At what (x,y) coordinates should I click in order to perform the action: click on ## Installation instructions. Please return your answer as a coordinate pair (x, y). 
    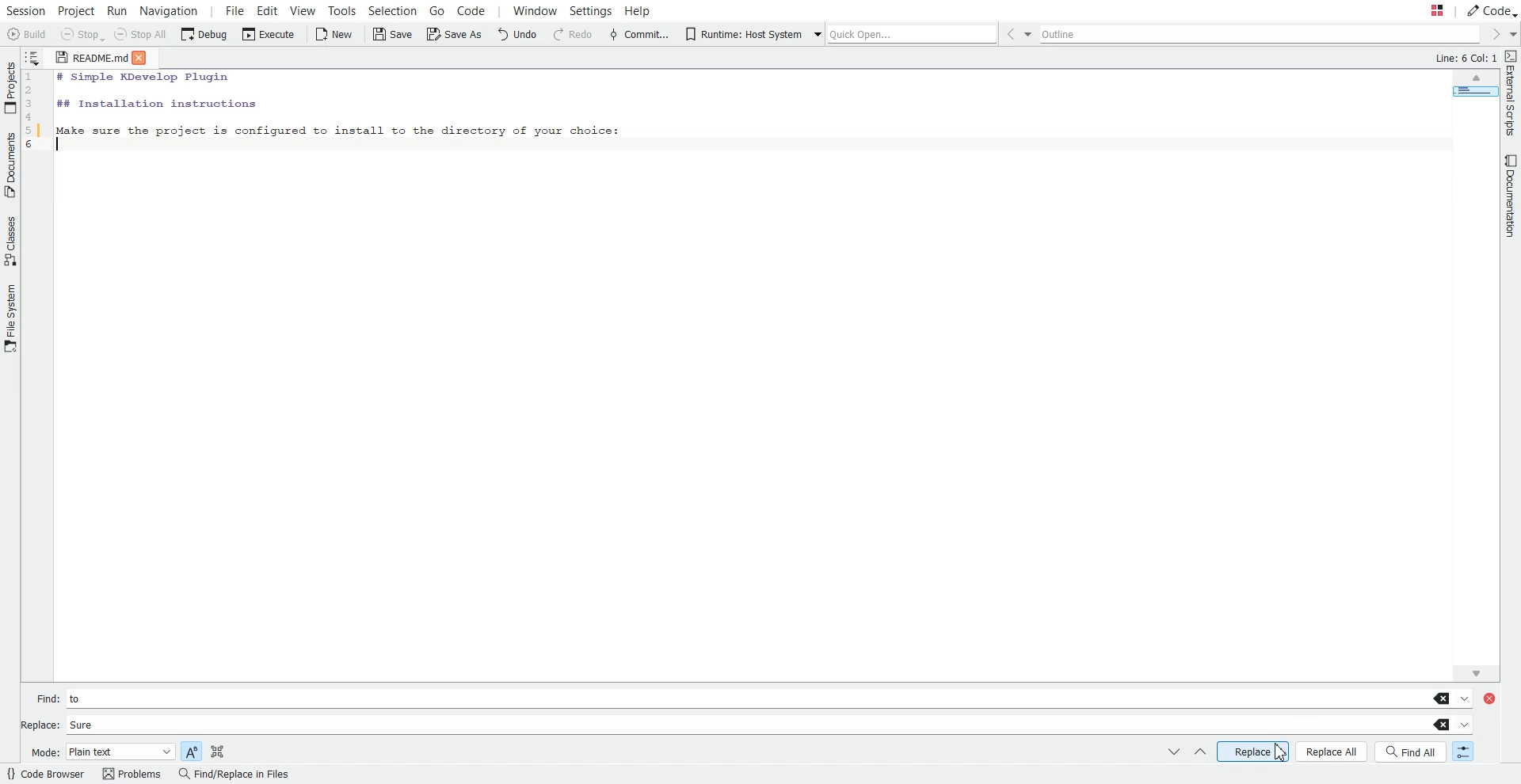
    Looking at the image, I should click on (155, 103).